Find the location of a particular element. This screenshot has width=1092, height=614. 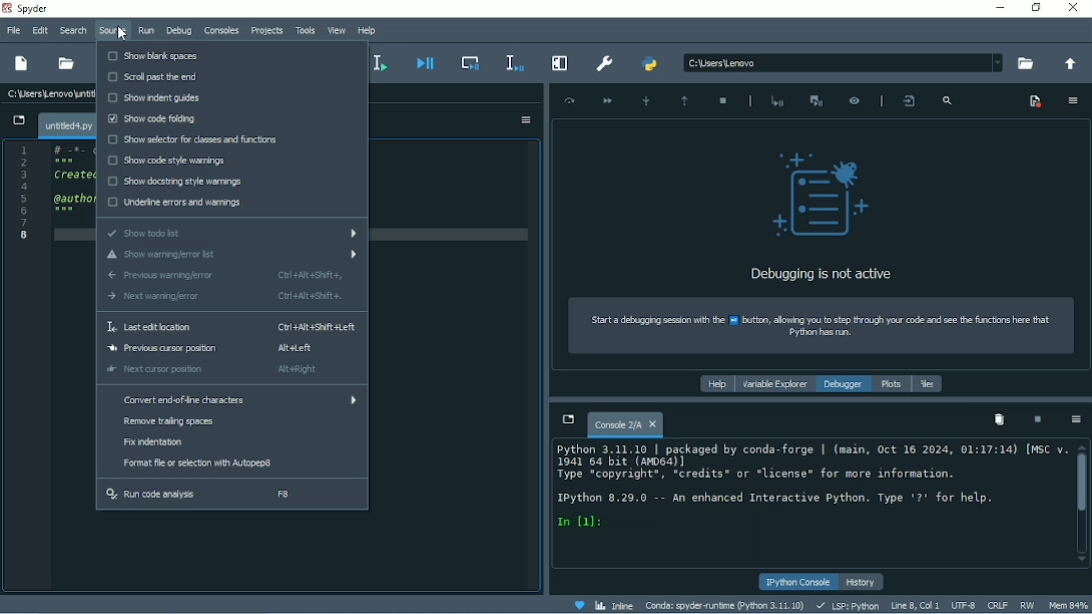

Run code analysis is located at coordinates (232, 493).